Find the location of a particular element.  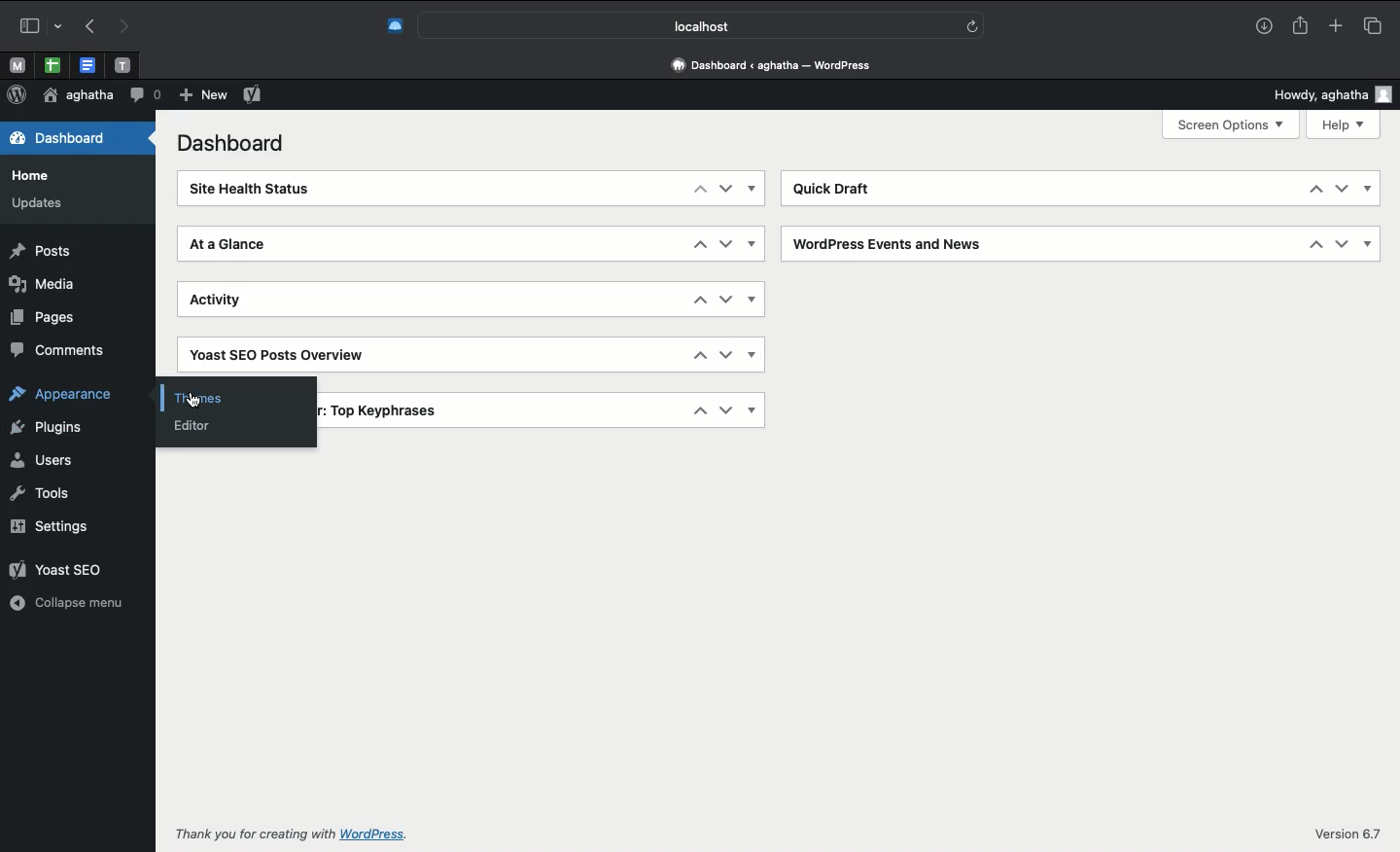

Editor is located at coordinates (199, 428).